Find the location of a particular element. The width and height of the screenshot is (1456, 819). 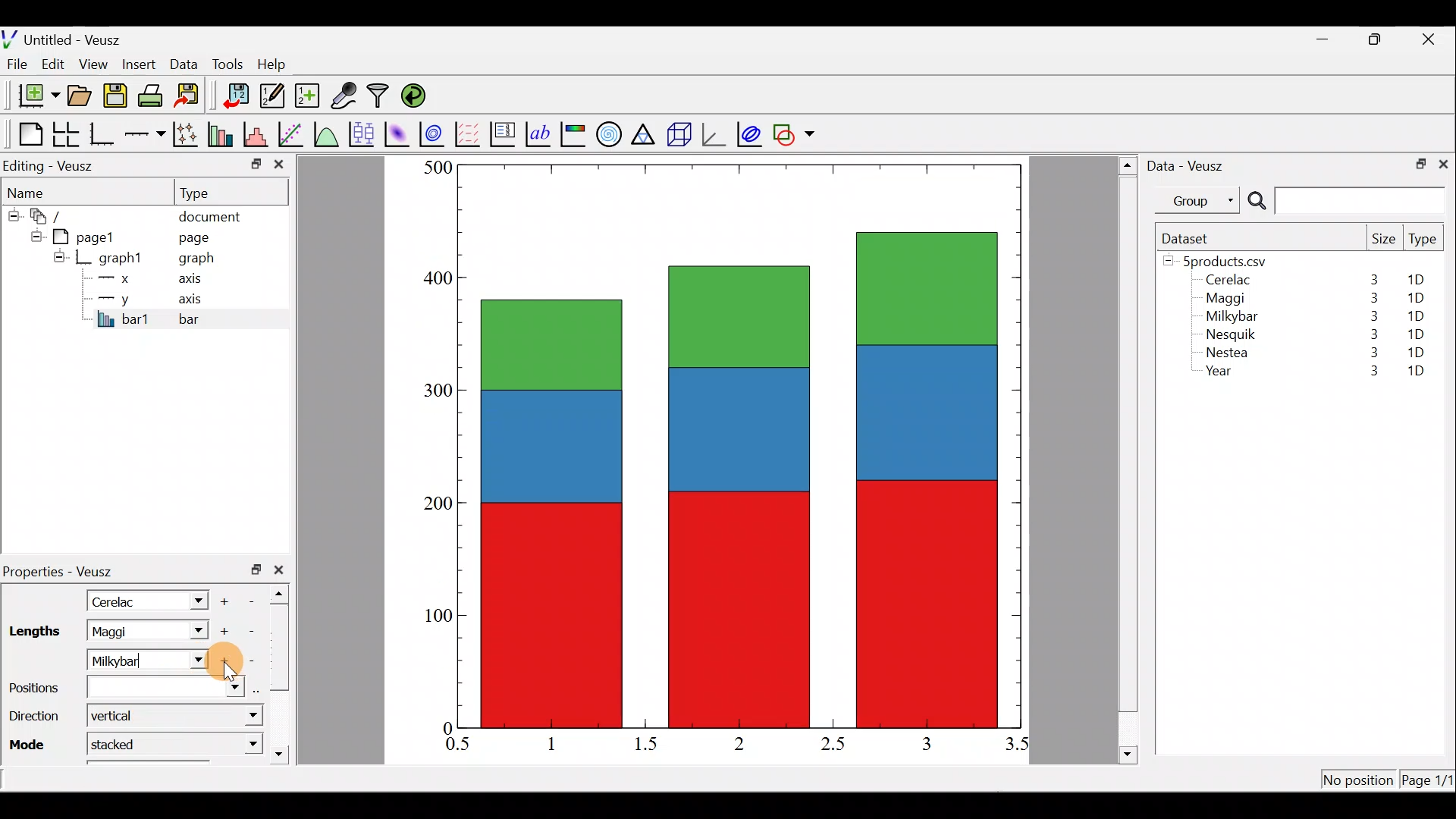

1D is located at coordinates (1415, 298).